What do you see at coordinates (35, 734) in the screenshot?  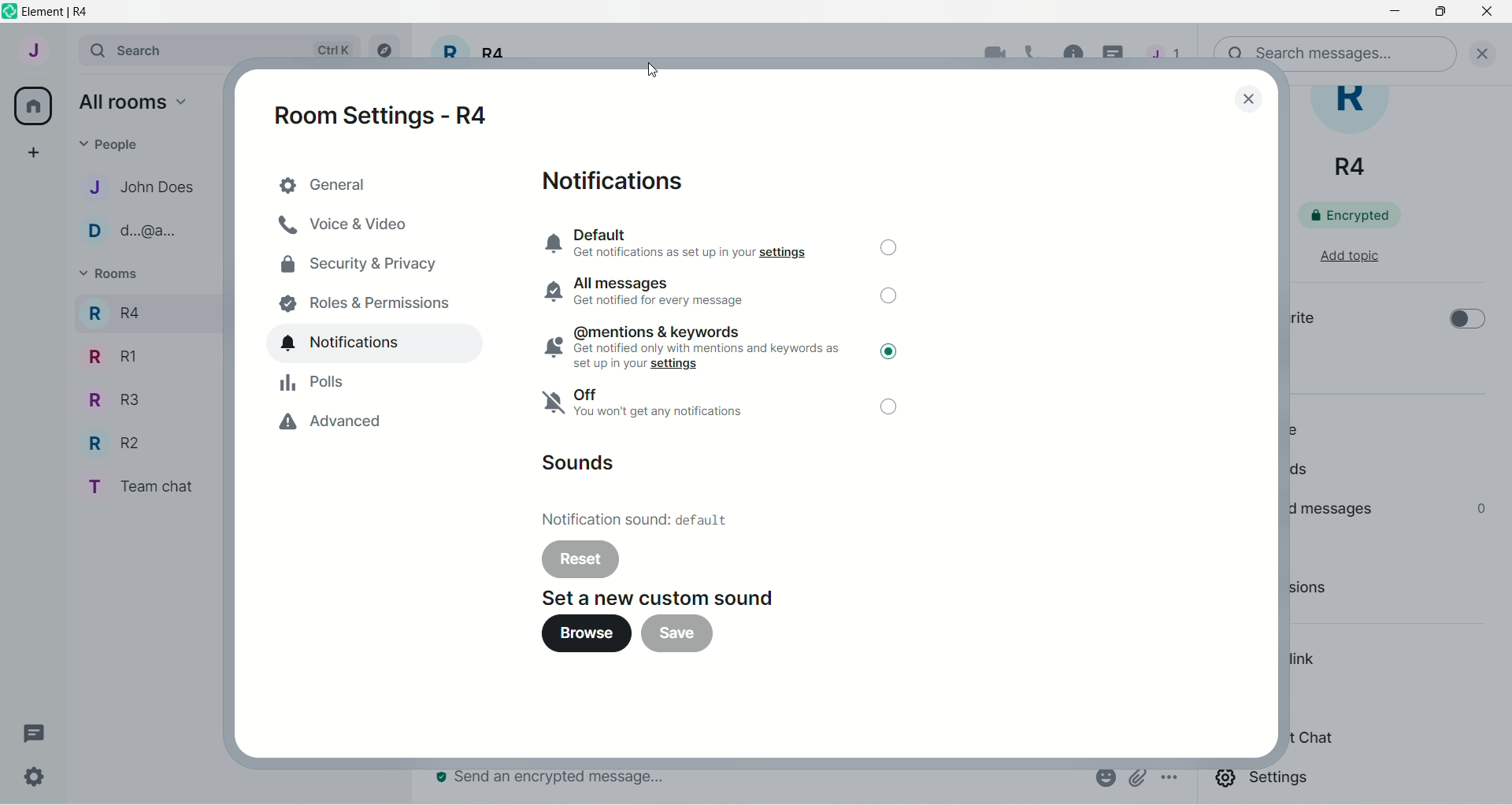 I see `threads` at bounding box center [35, 734].